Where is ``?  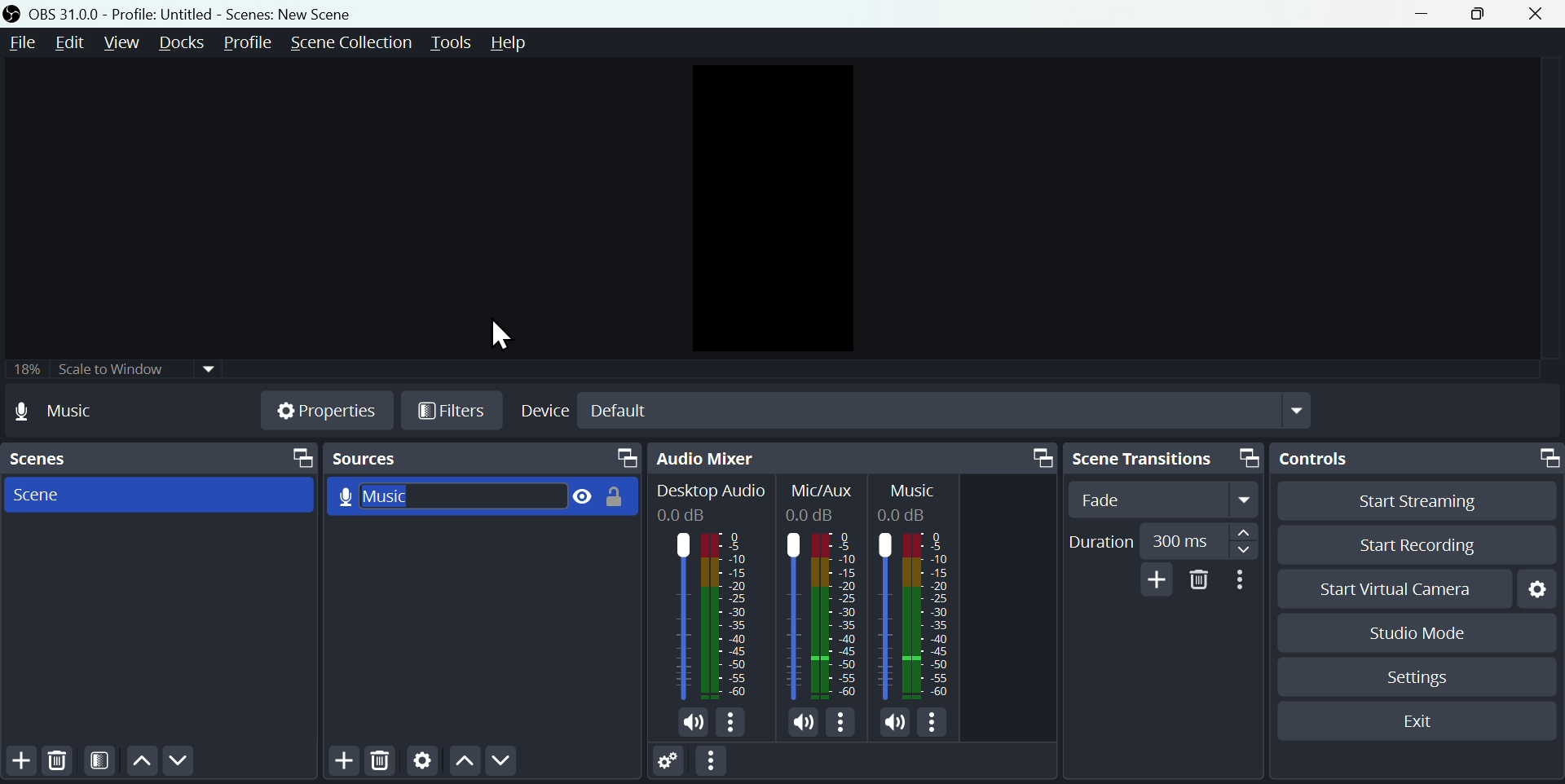
 is located at coordinates (693, 516).